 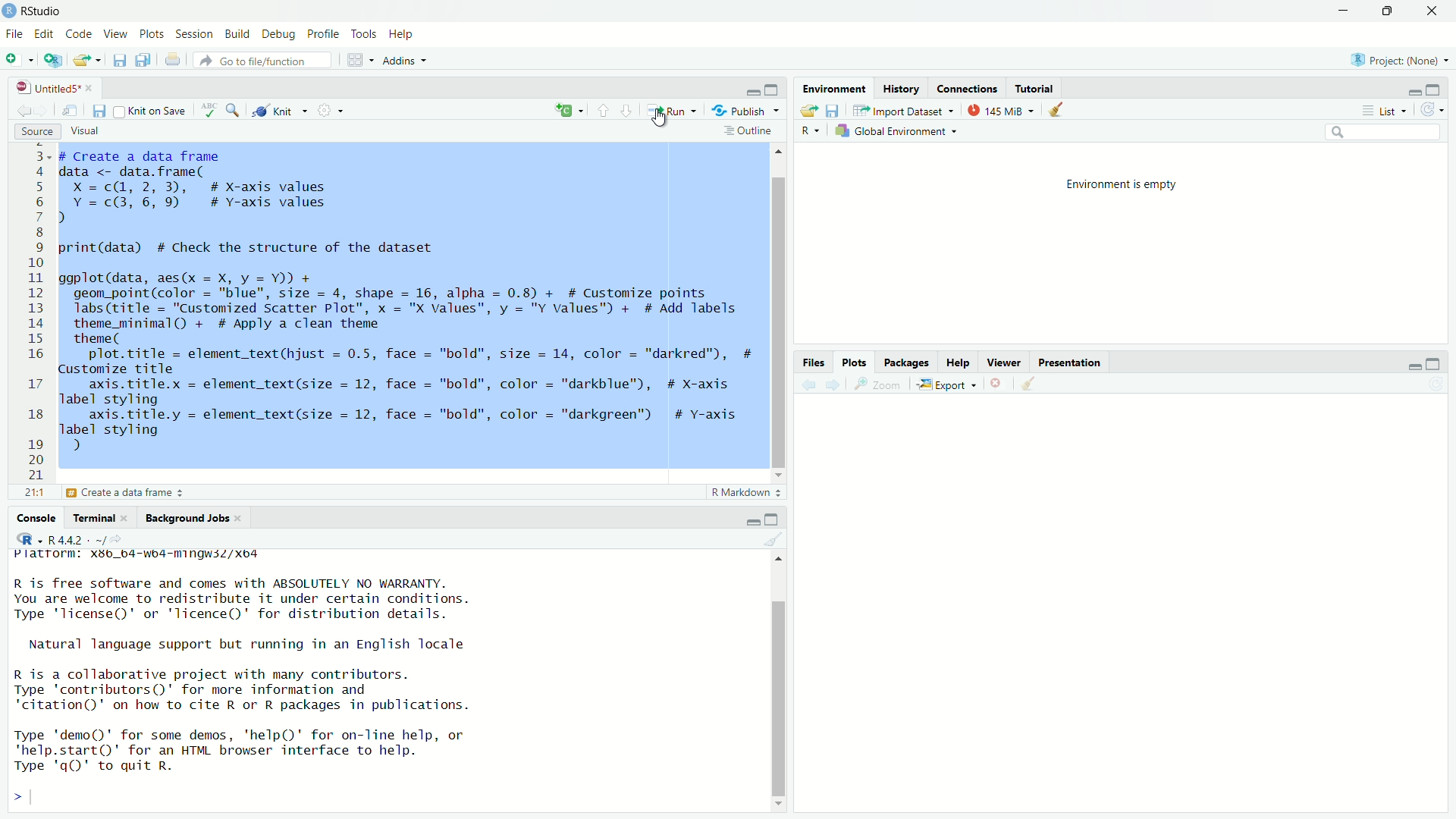 What do you see at coordinates (33, 132) in the screenshot?
I see `Source` at bounding box center [33, 132].